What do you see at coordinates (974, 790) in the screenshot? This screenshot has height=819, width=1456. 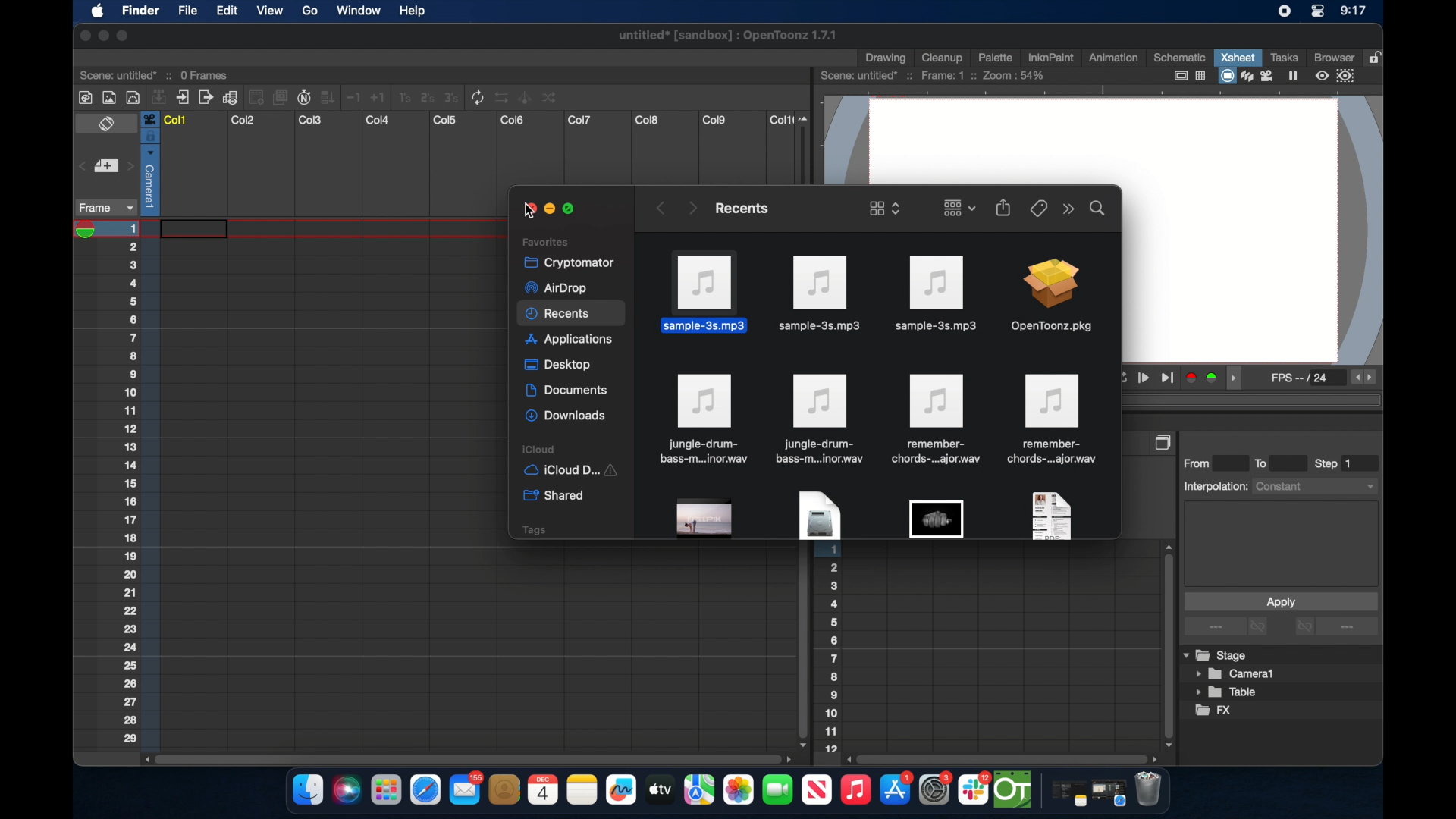 I see `slack` at bounding box center [974, 790].